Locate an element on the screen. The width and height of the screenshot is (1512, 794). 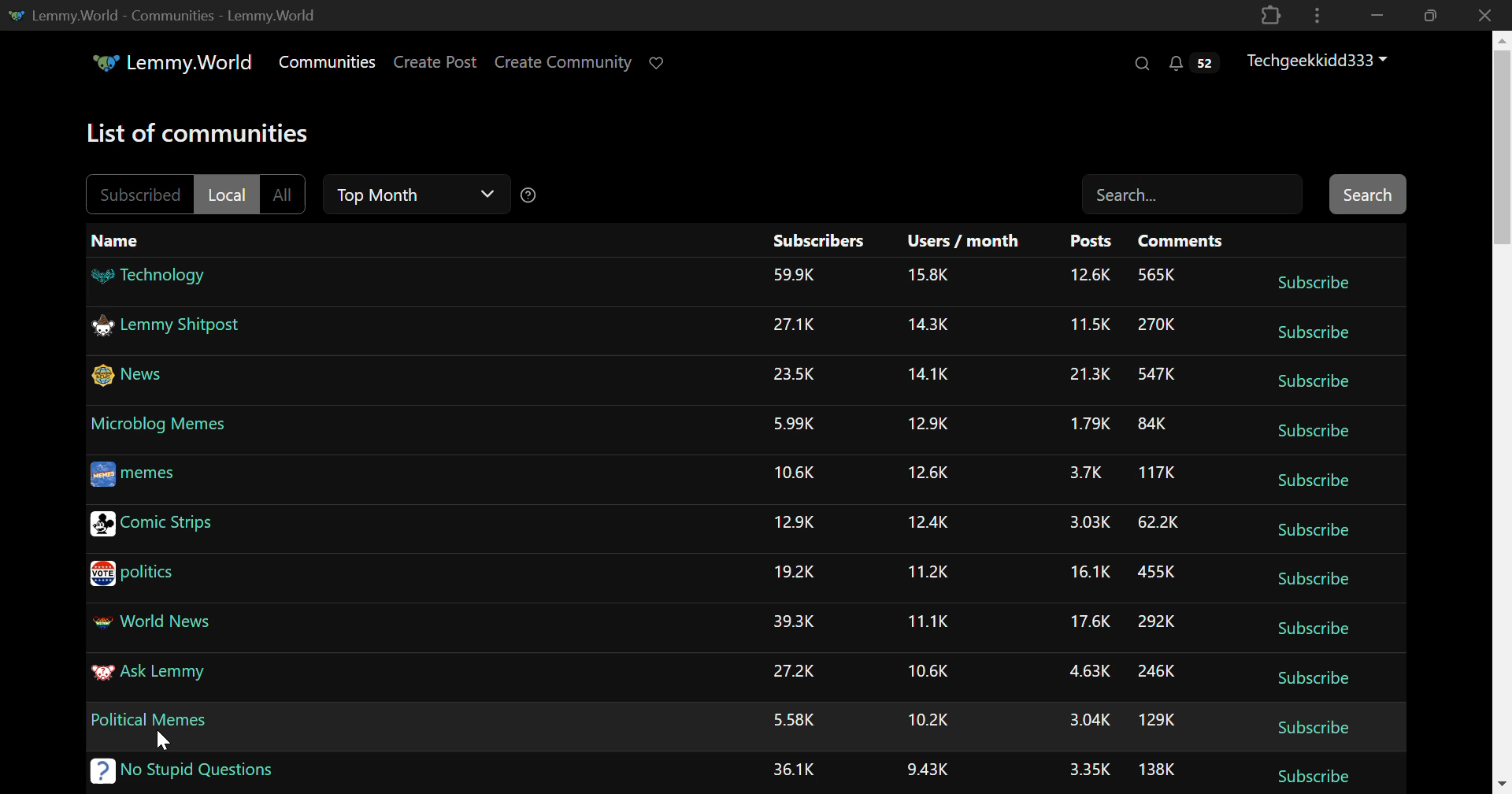
Technology is located at coordinates (151, 278).